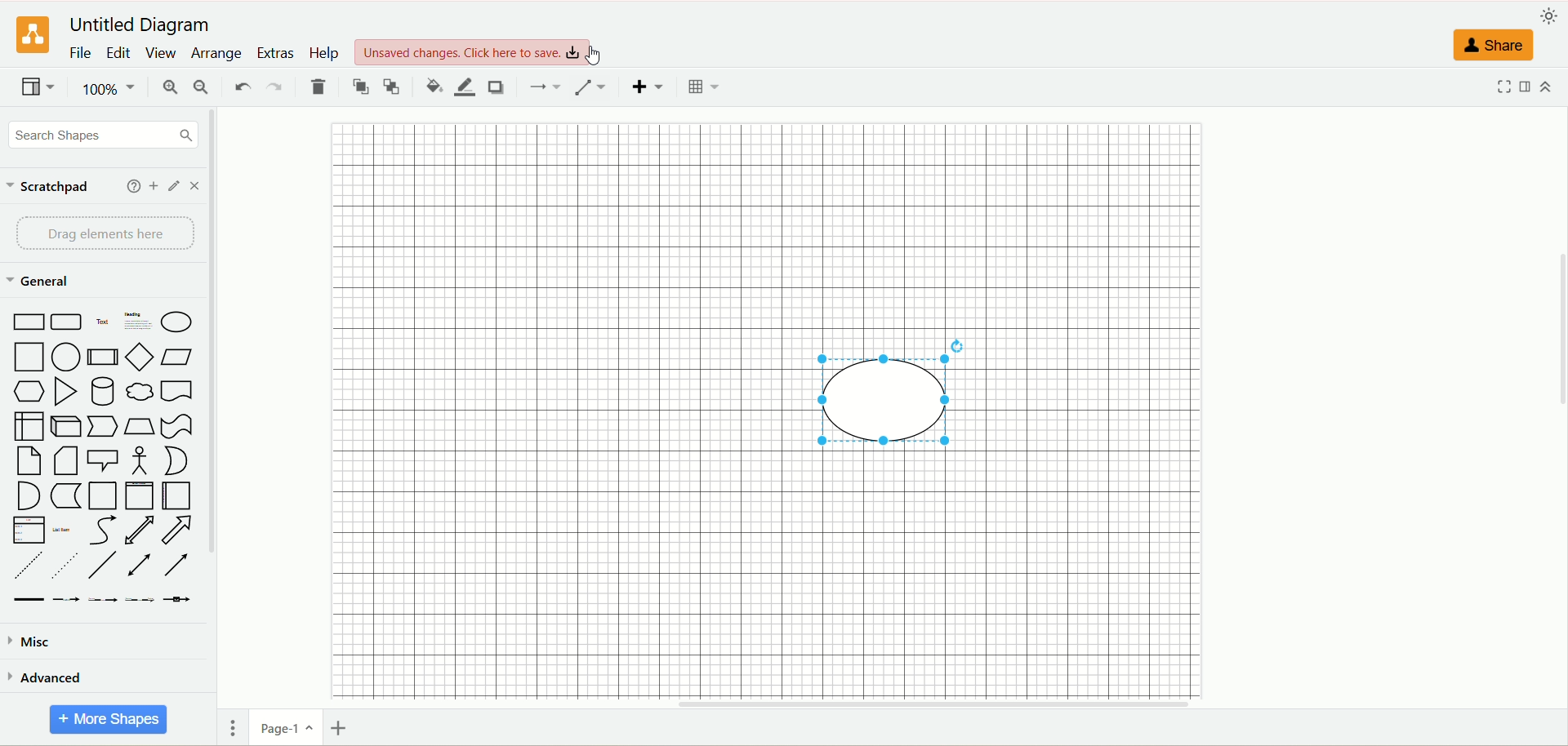 This screenshot has width=1568, height=746. Describe the element at coordinates (646, 88) in the screenshot. I see `Insert` at that location.